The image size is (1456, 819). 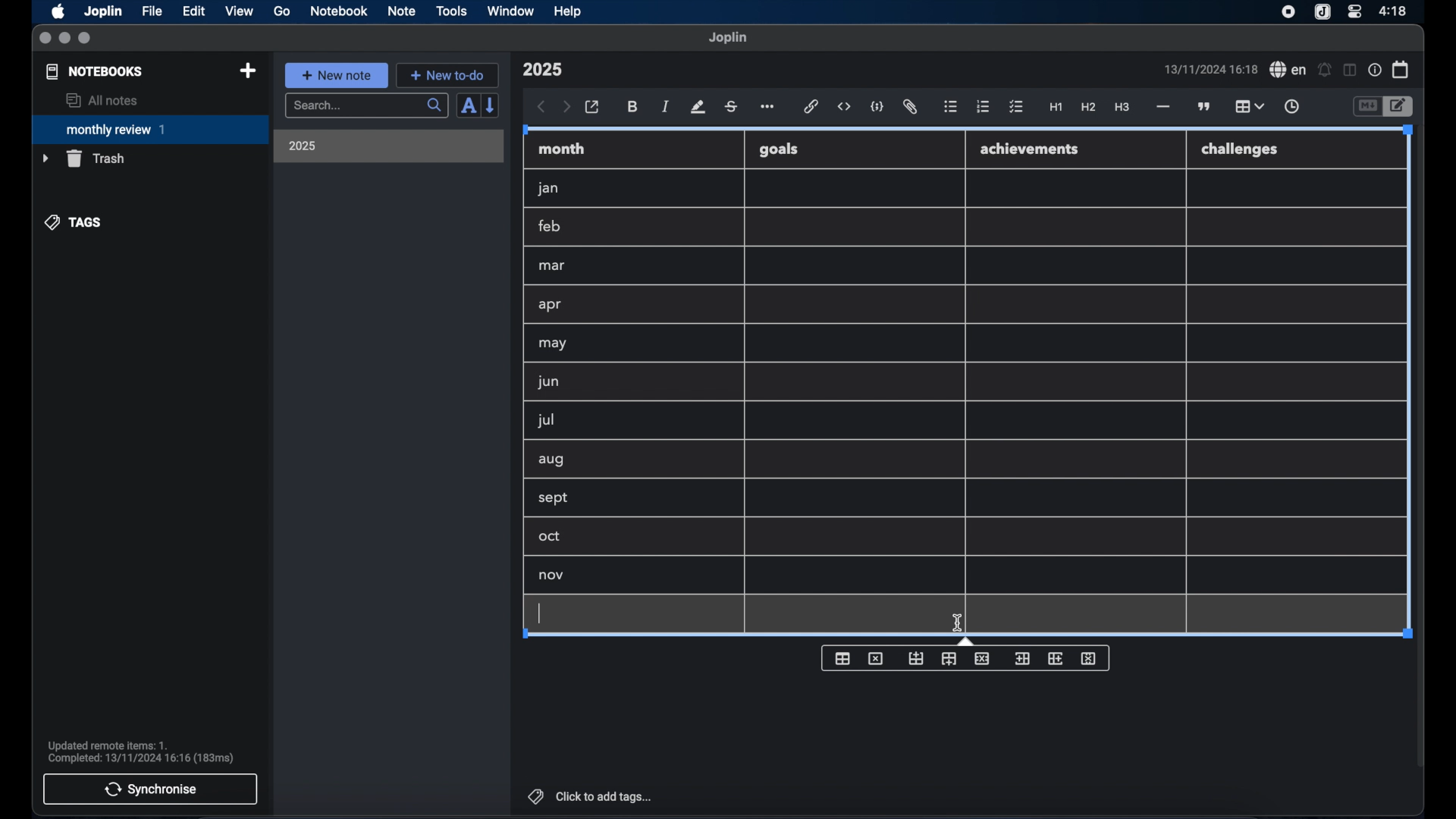 What do you see at coordinates (730, 107) in the screenshot?
I see `strikethrough` at bounding box center [730, 107].